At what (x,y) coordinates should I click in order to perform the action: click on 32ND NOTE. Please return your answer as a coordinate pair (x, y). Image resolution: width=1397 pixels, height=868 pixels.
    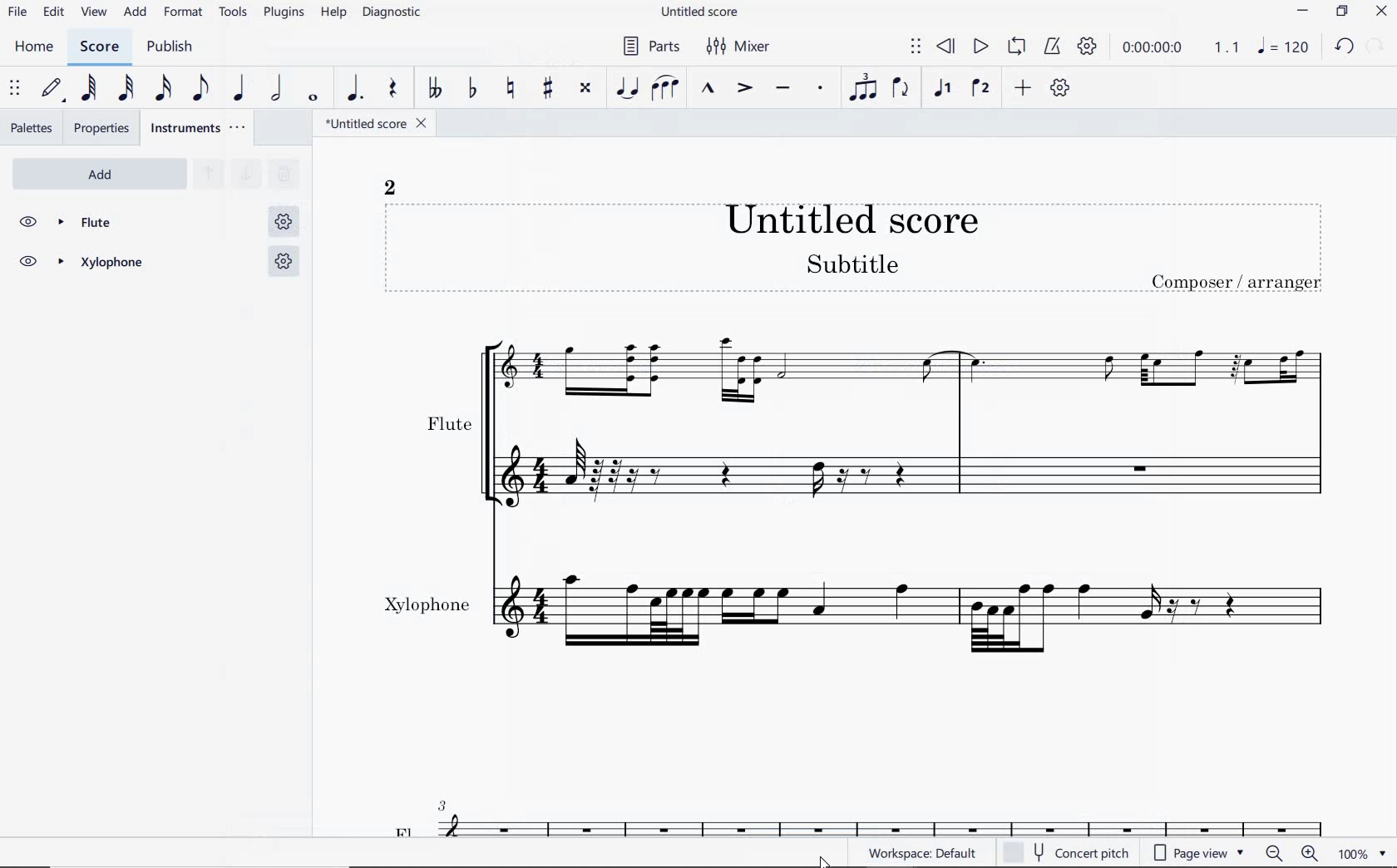
    Looking at the image, I should click on (124, 86).